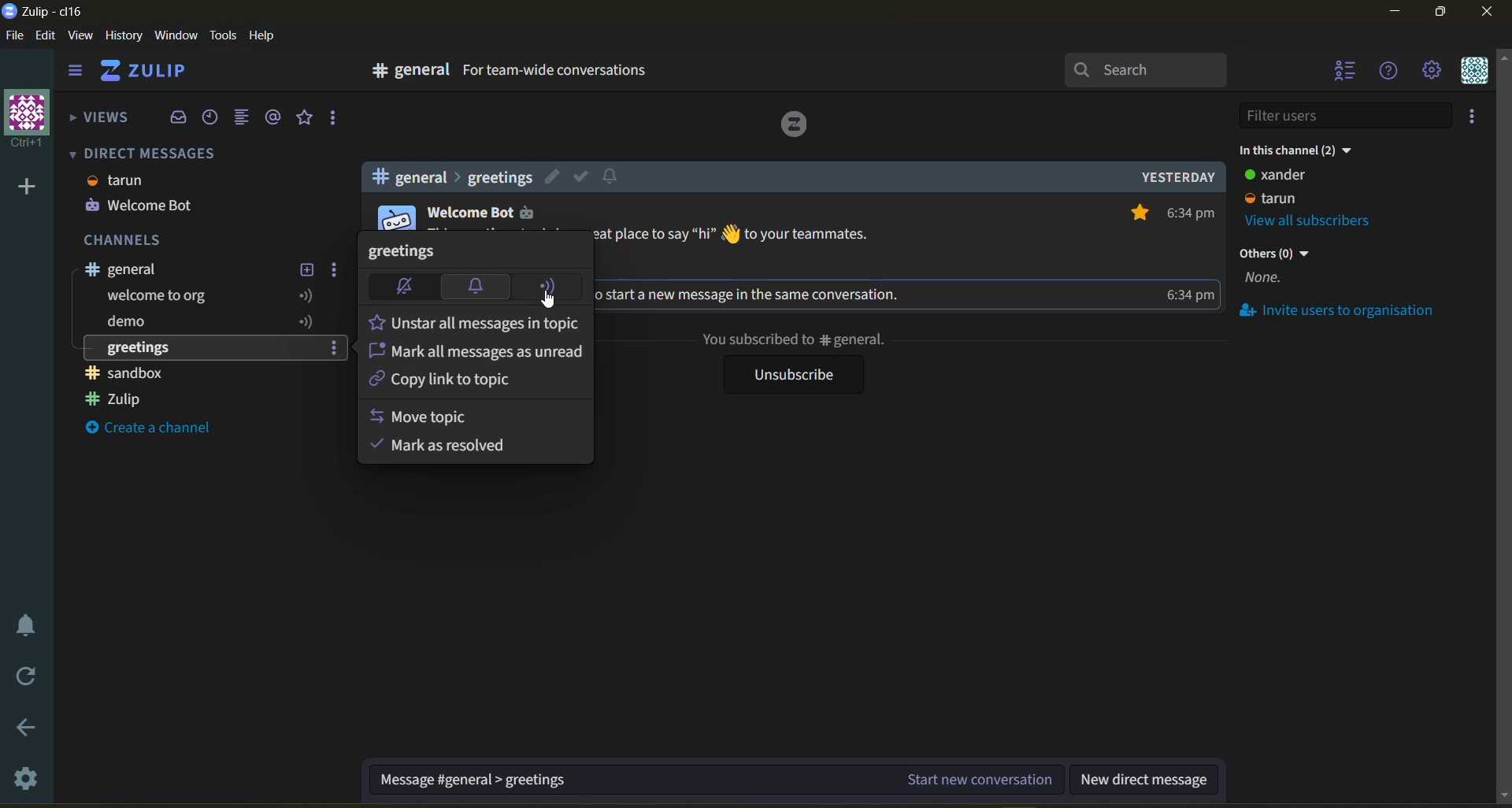 This screenshot has width=1512, height=808. What do you see at coordinates (178, 36) in the screenshot?
I see `window` at bounding box center [178, 36].